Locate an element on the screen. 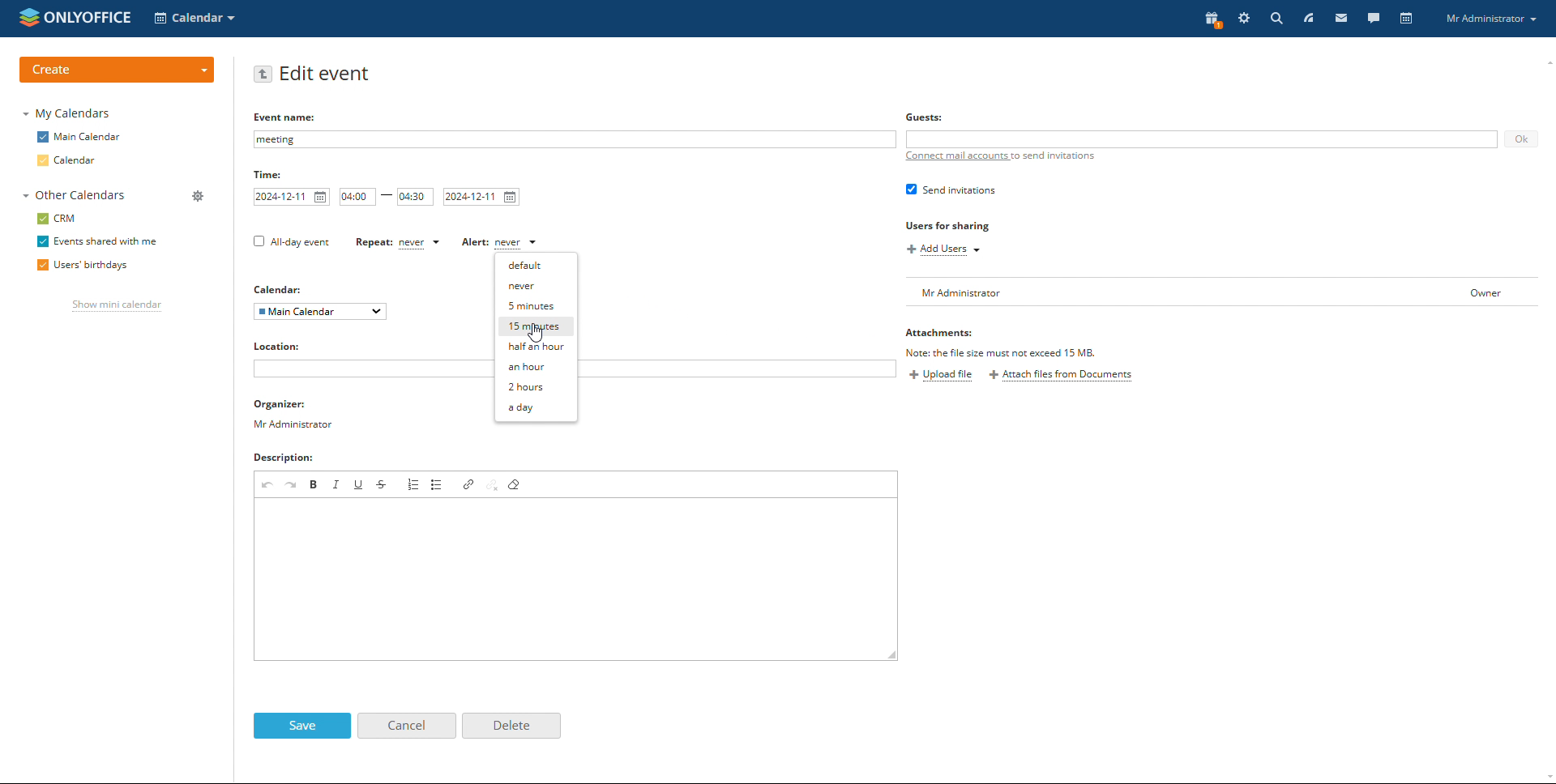 This screenshot has width=1556, height=784. location is located at coordinates (284, 346).